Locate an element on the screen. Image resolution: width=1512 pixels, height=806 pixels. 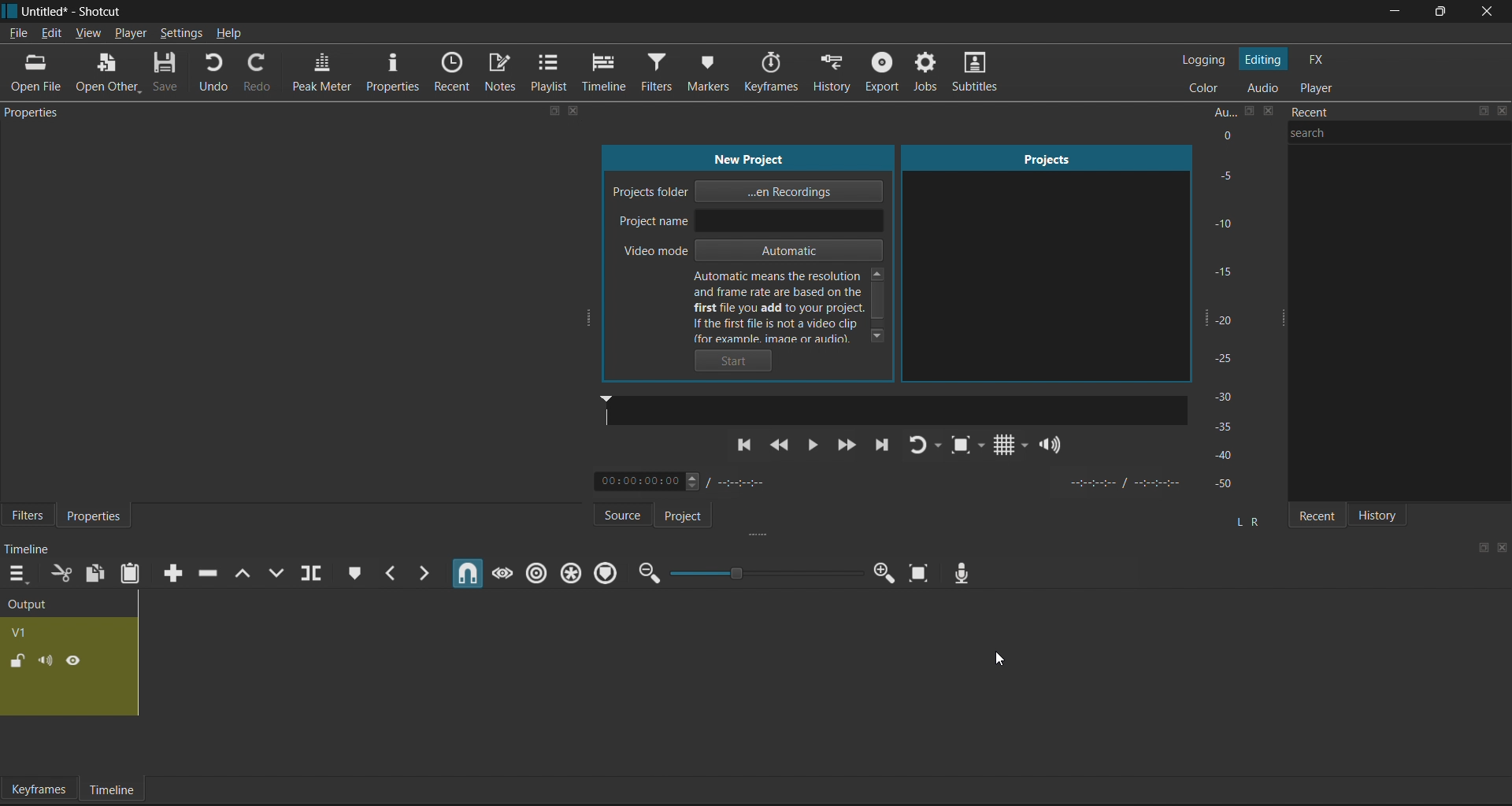
pause is located at coordinates (813, 445).